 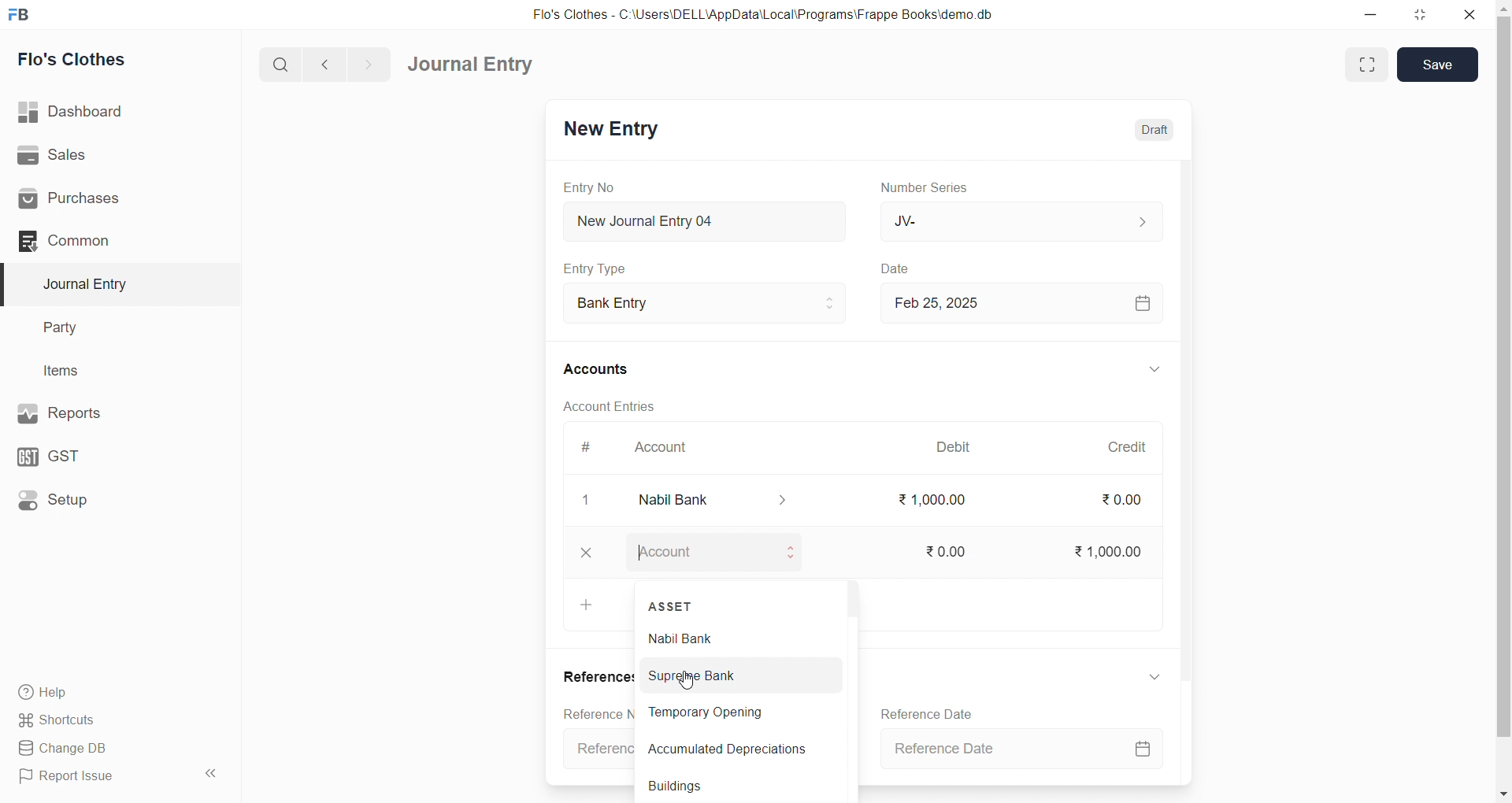 I want to click on Nabil Bank, so click(x=731, y=636).